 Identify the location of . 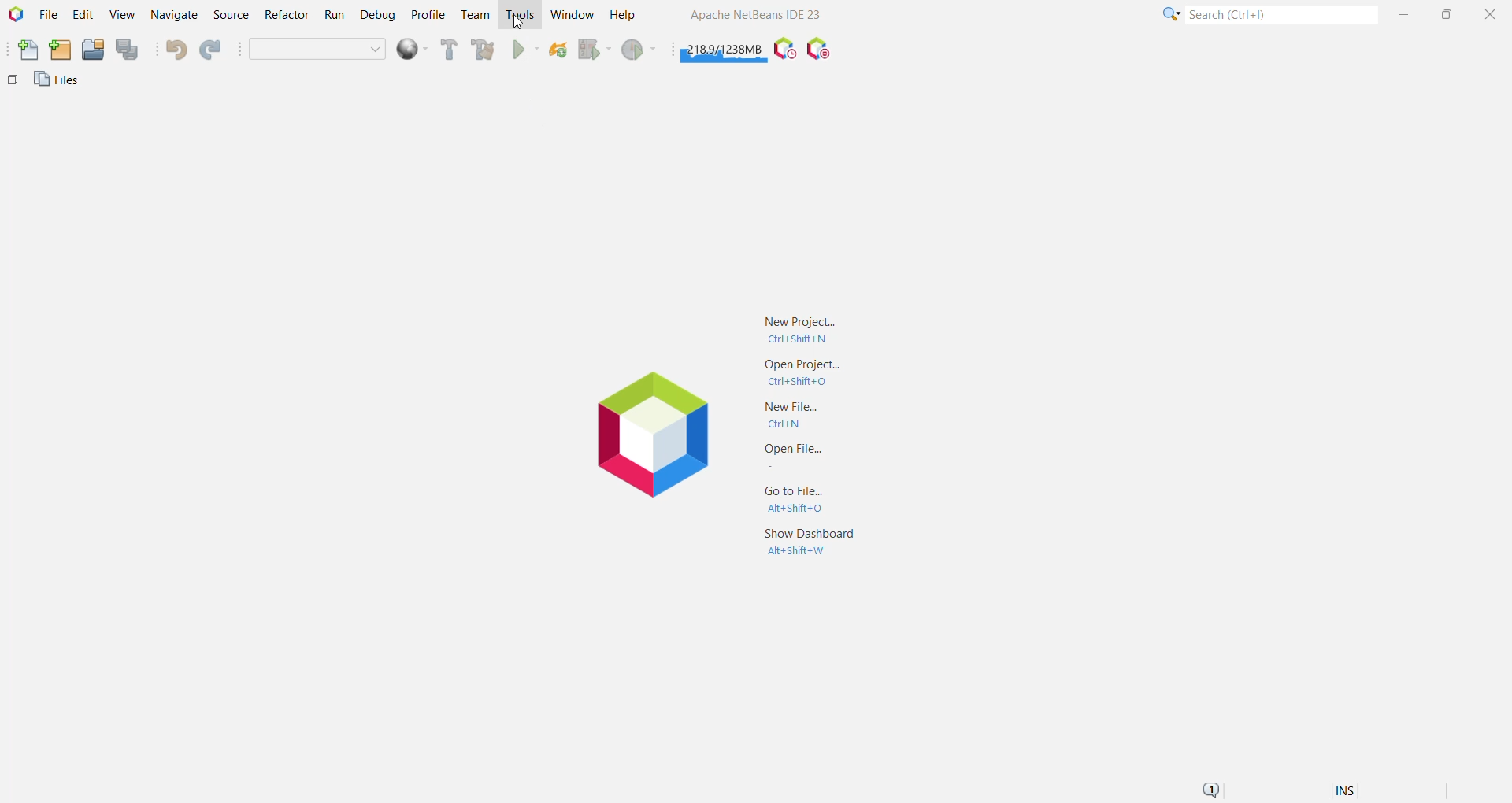
(13, 83).